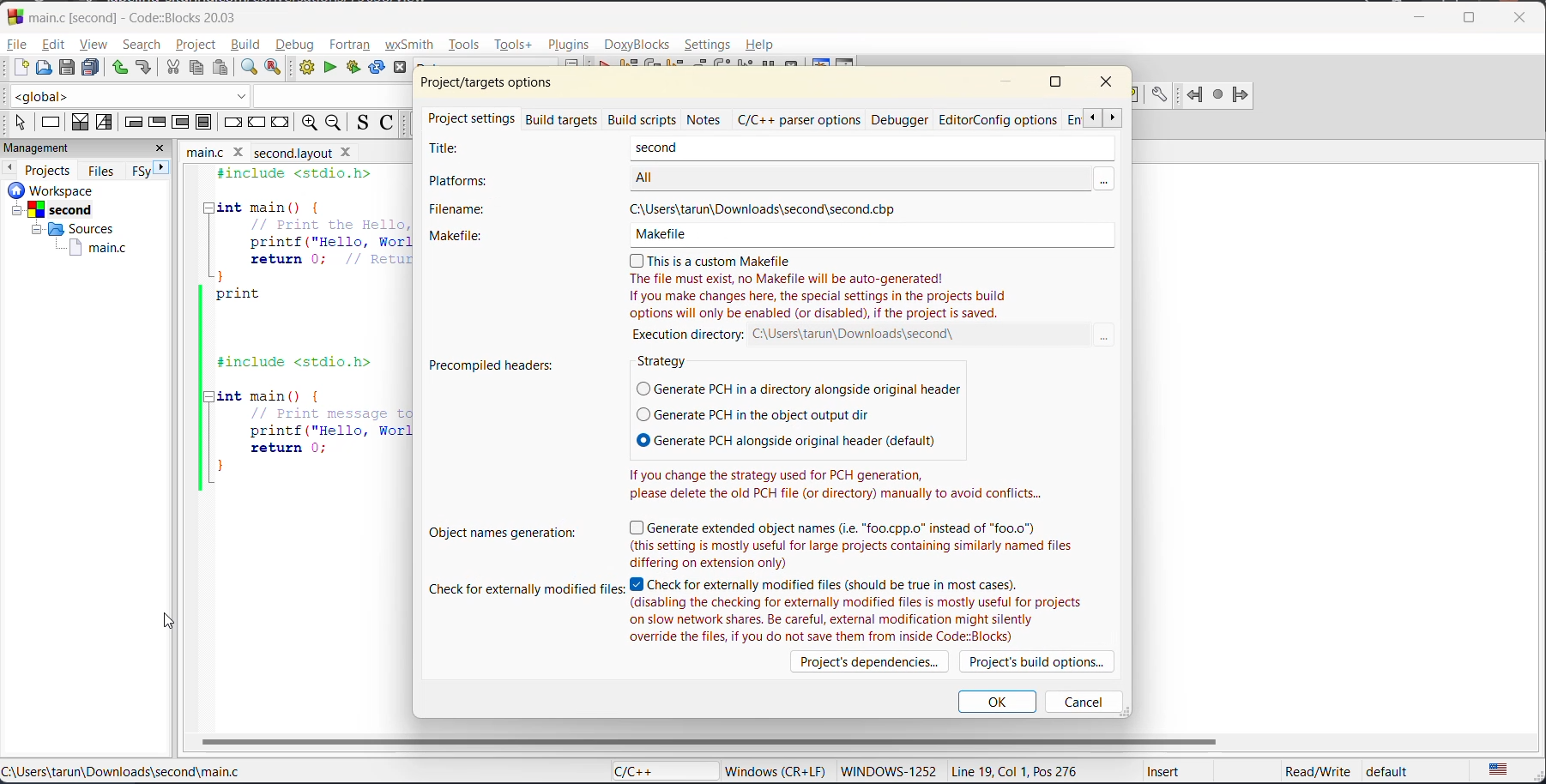 The height and width of the screenshot is (784, 1546). Describe the element at coordinates (42, 69) in the screenshot. I see `open` at that location.